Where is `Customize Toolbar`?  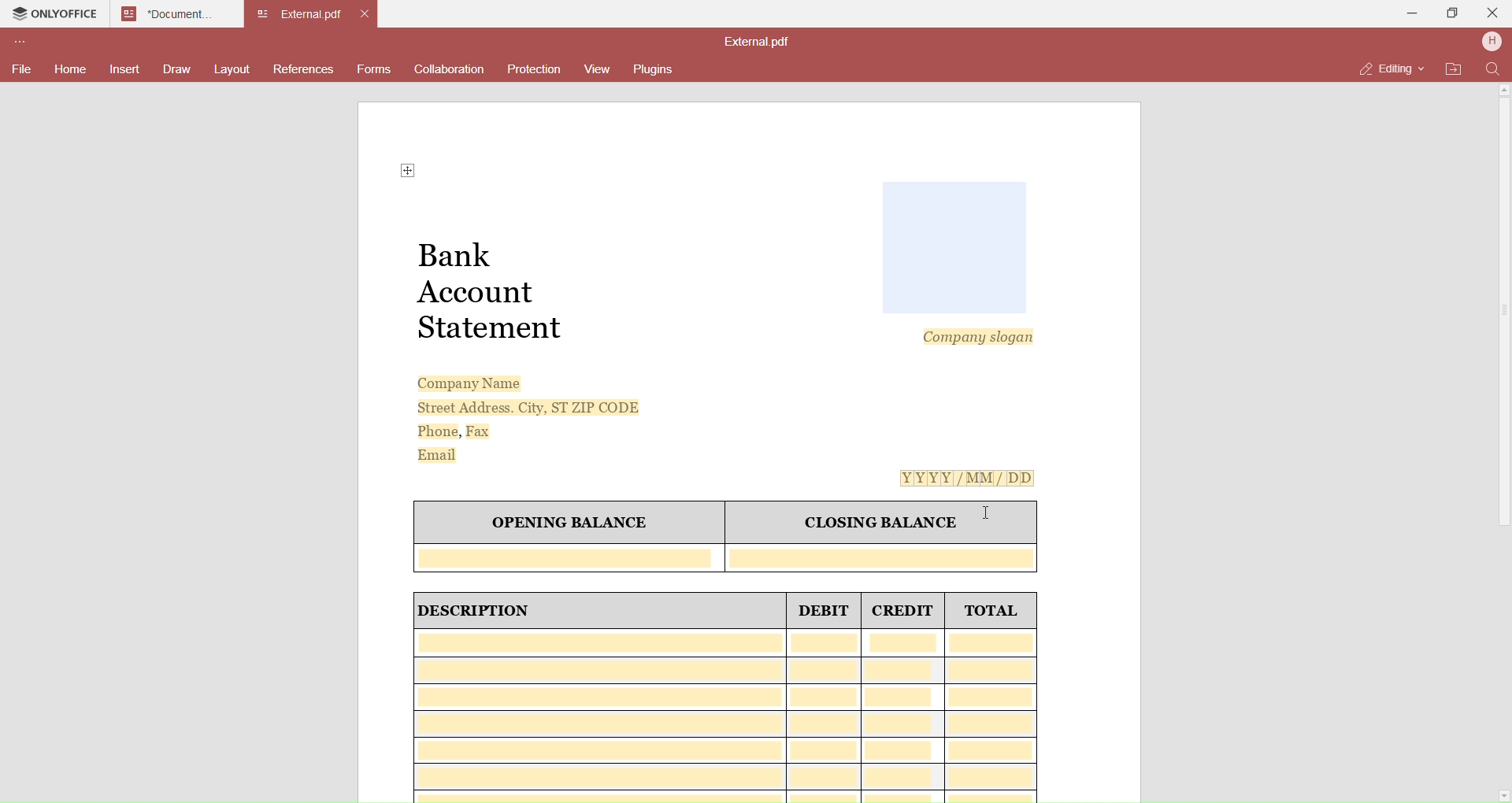
Customize Toolbar is located at coordinates (18, 44).